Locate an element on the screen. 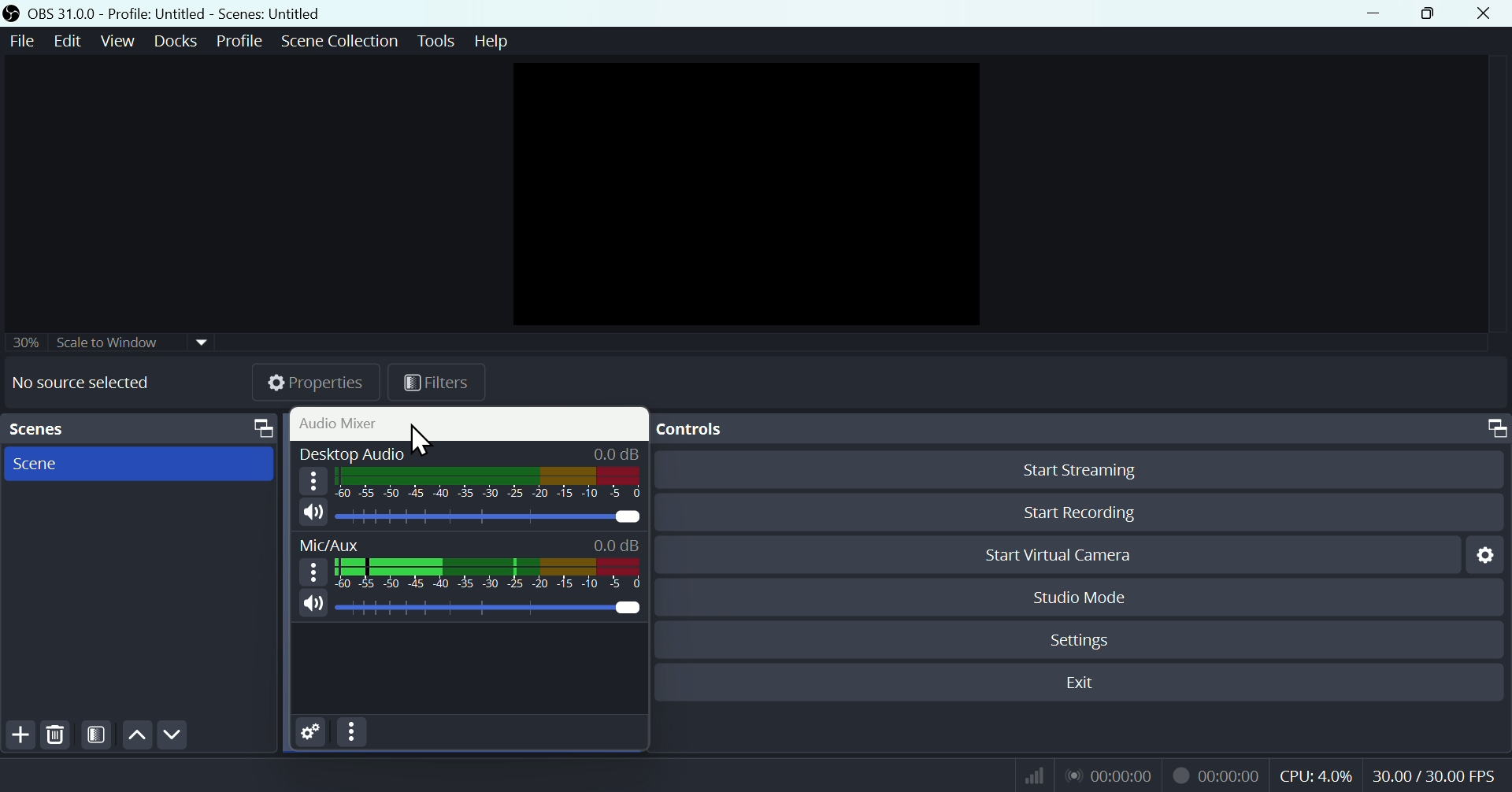  Bitrate is located at coordinates (1032, 775).